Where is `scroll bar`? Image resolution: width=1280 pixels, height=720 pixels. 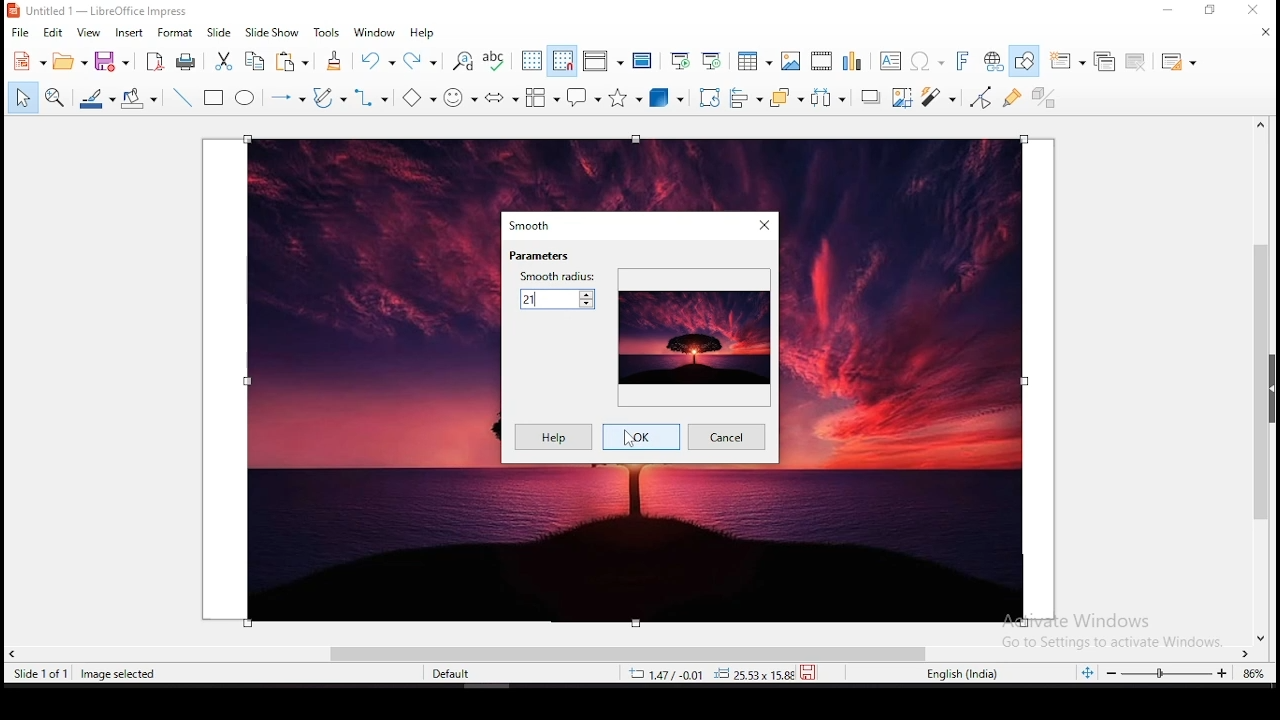
scroll bar is located at coordinates (1267, 380).